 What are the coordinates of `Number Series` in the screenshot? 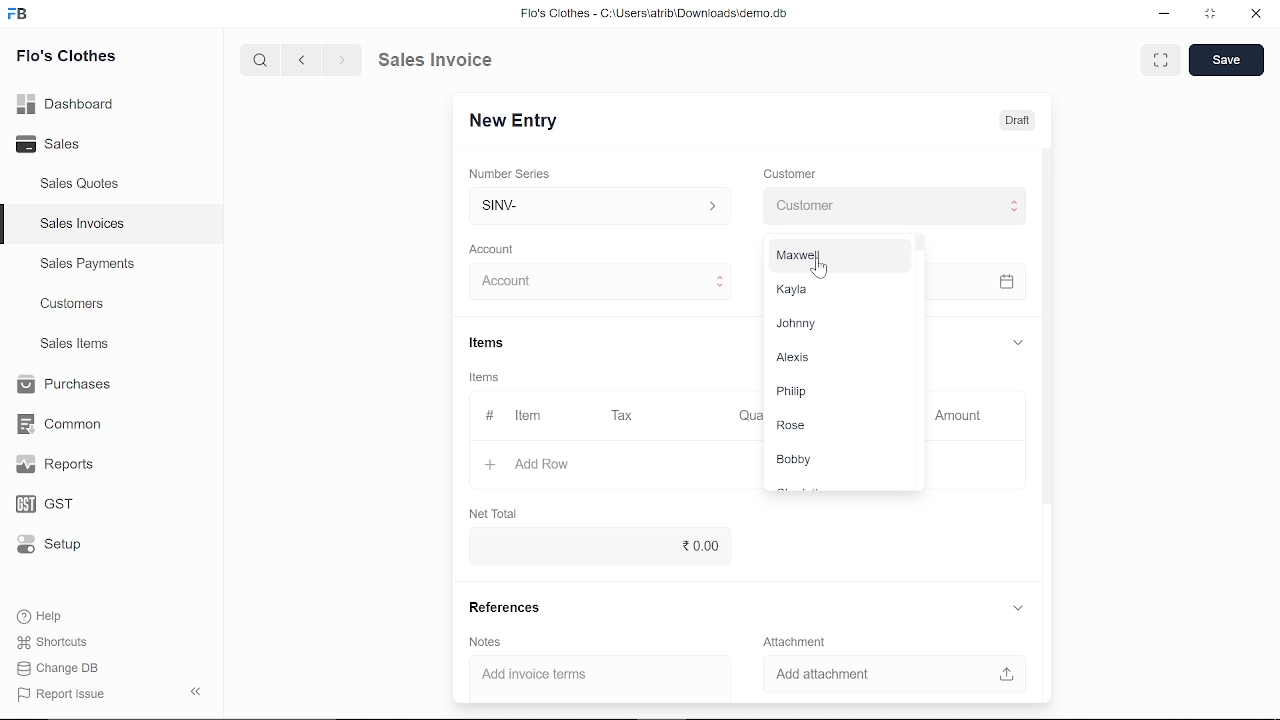 It's located at (512, 175).